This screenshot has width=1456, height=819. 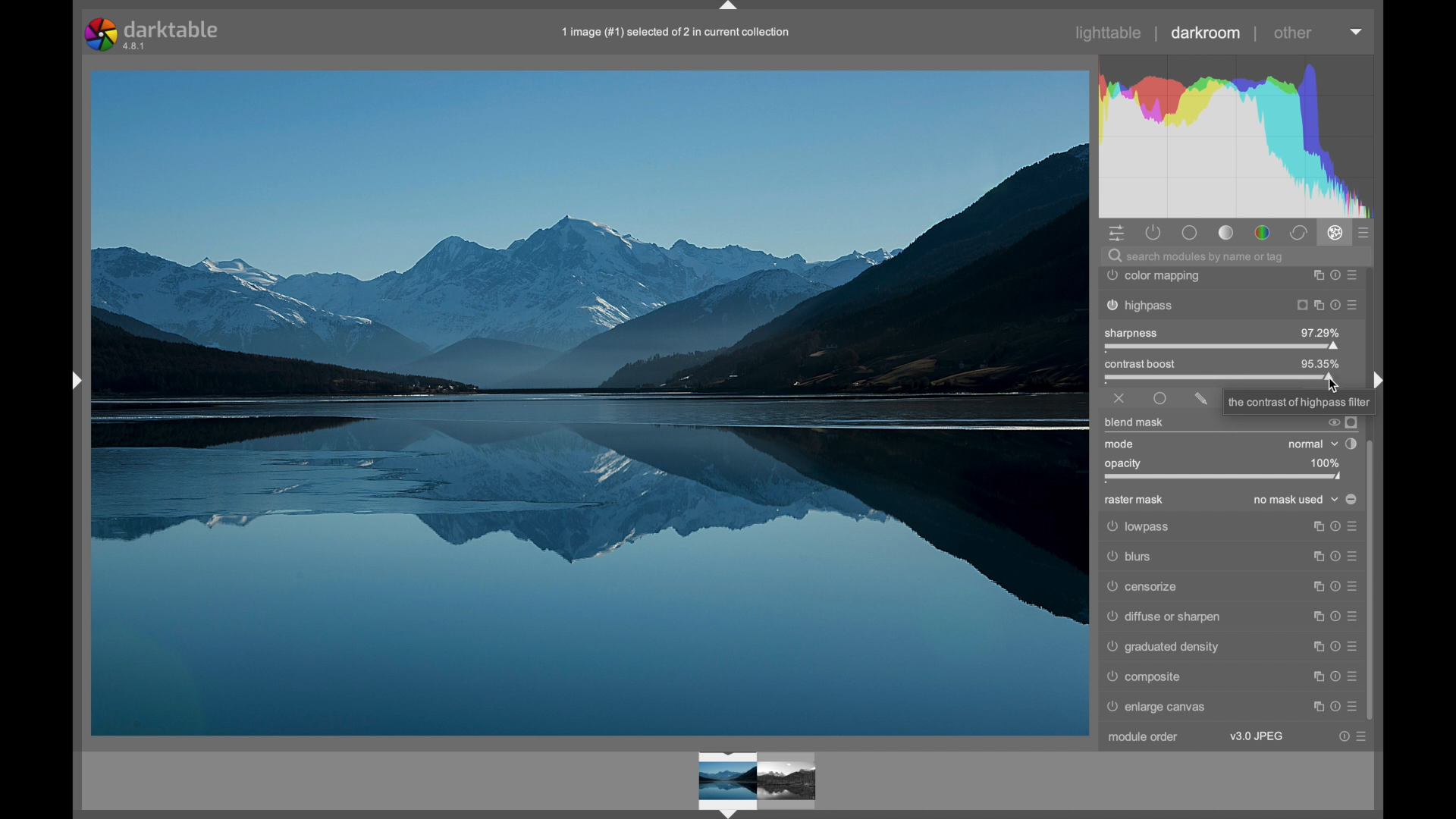 I want to click on mode, so click(x=1120, y=444).